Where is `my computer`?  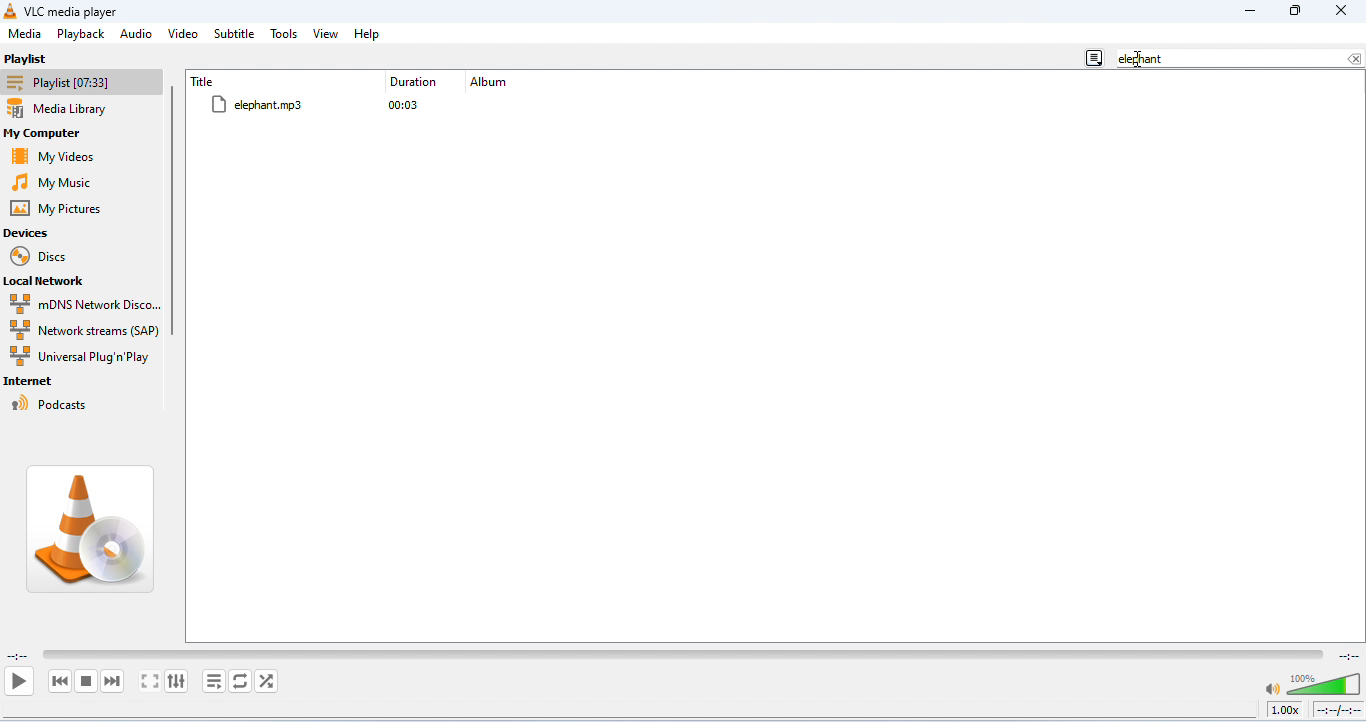 my computer is located at coordinates (59, 134).